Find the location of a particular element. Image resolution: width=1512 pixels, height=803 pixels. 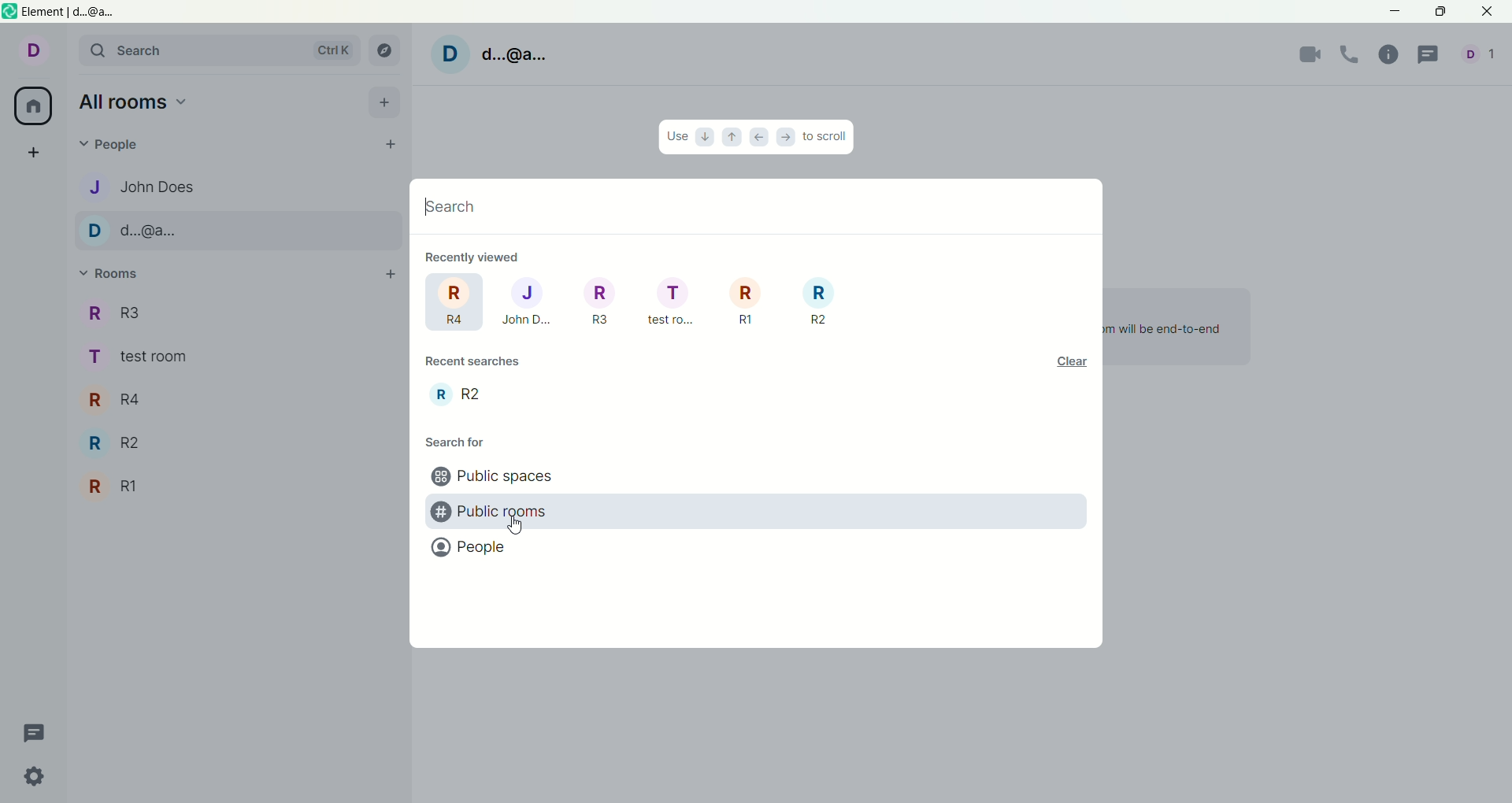

search is located at coordinates (531, 207).